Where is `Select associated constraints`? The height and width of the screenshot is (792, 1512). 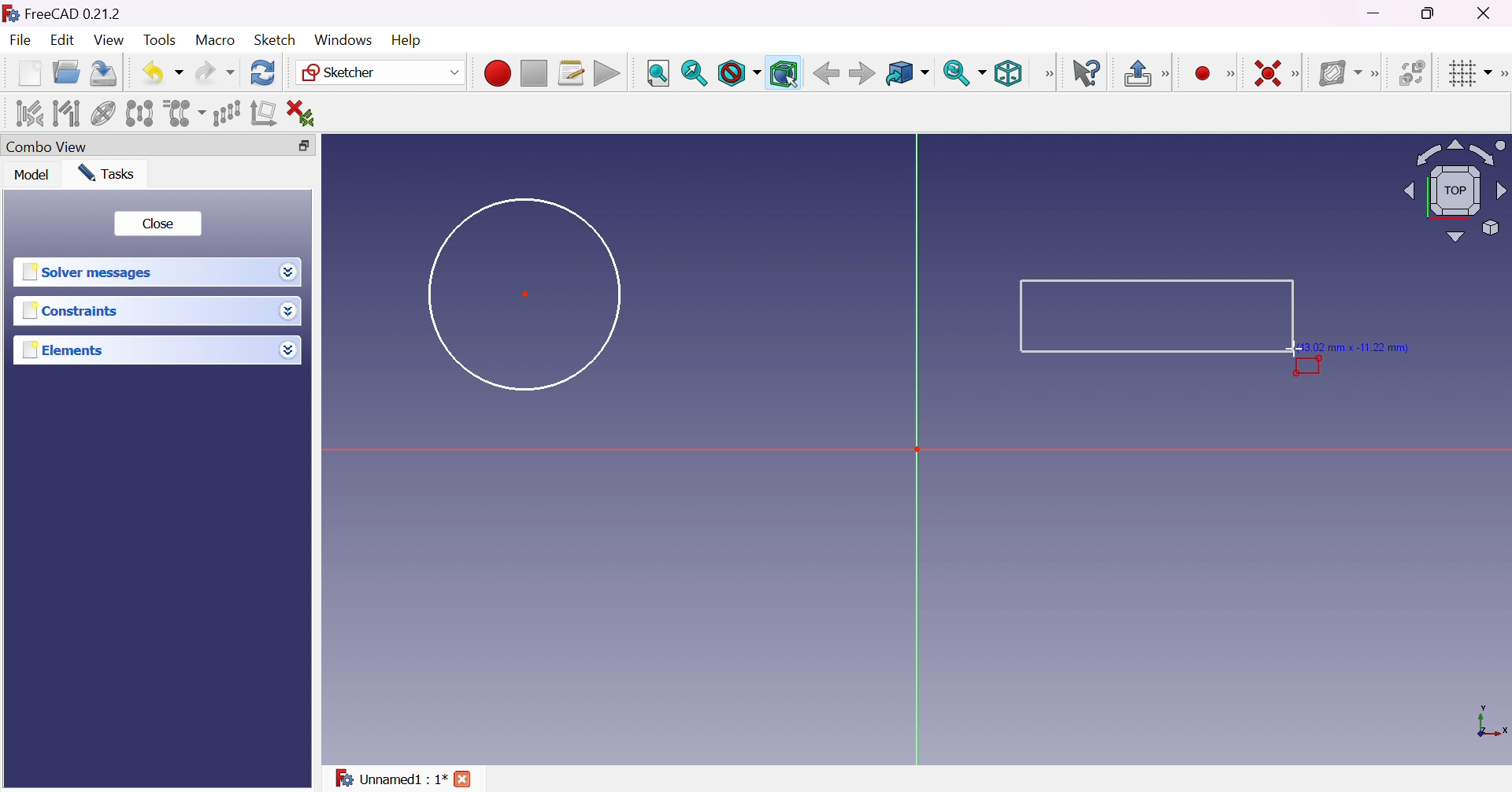 Select associated constraints is located at coordinates (27, 113).